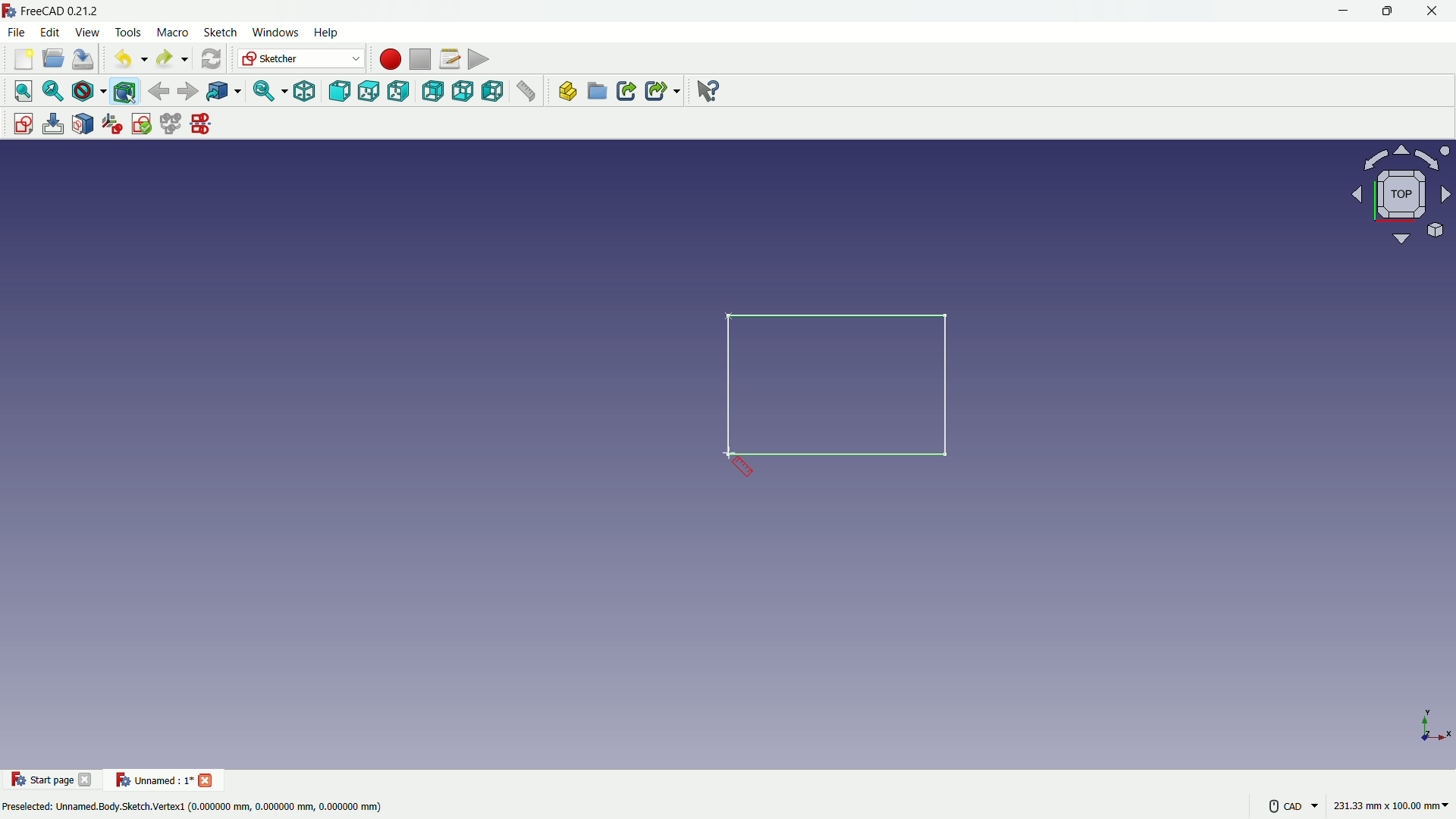 Image resolution: width=1456 pixels, height=819 pixels. Describe the element at coordinates (171, 33) in the screenshot. I see `macro` at that location.